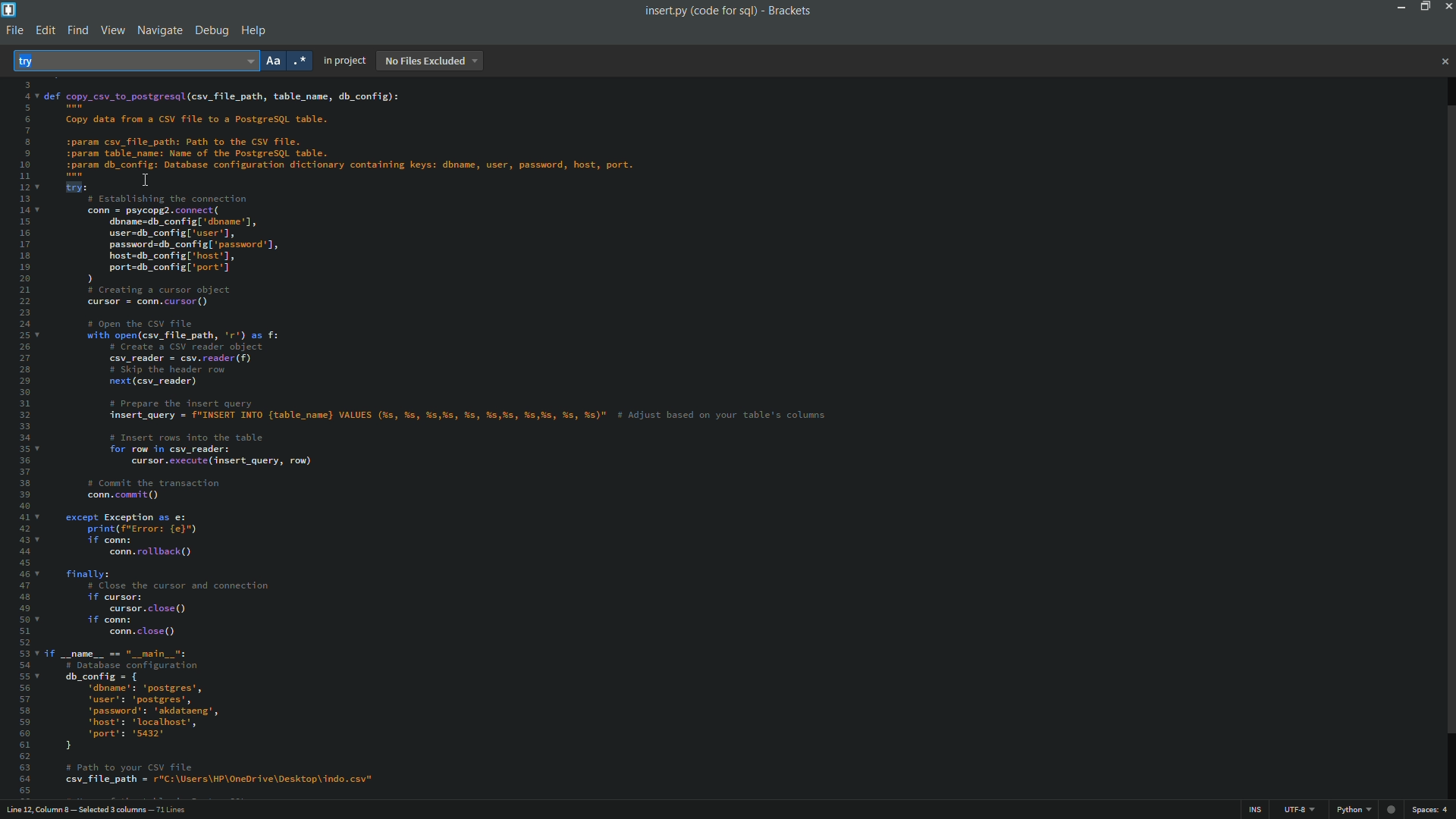 This screenshot has width=1456, height=819. What do you see at coordinates (40, 61) in the screenshot?
I see `try` at bounding box center [40, 61].